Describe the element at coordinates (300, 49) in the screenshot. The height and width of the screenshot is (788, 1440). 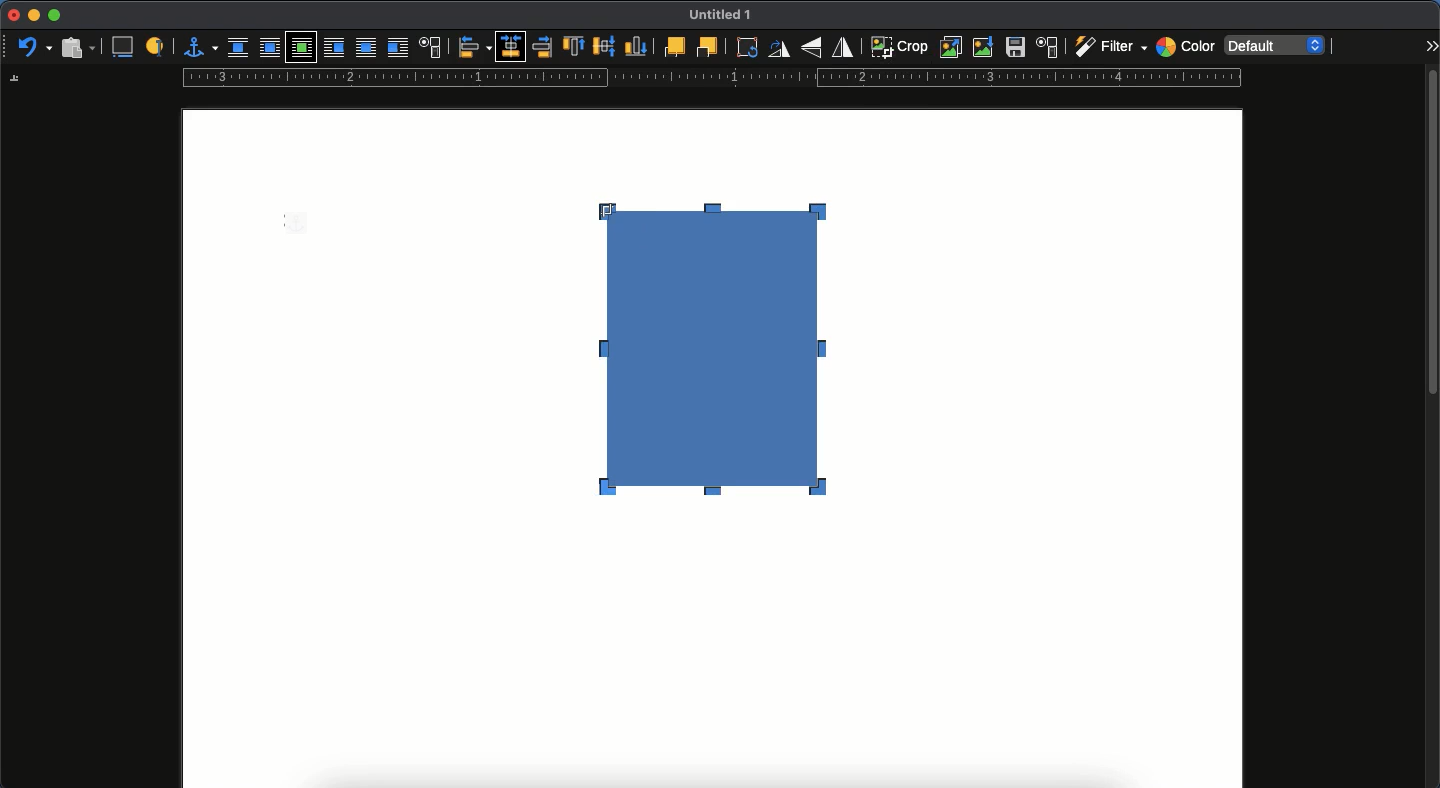
I see `optimal` at that location.